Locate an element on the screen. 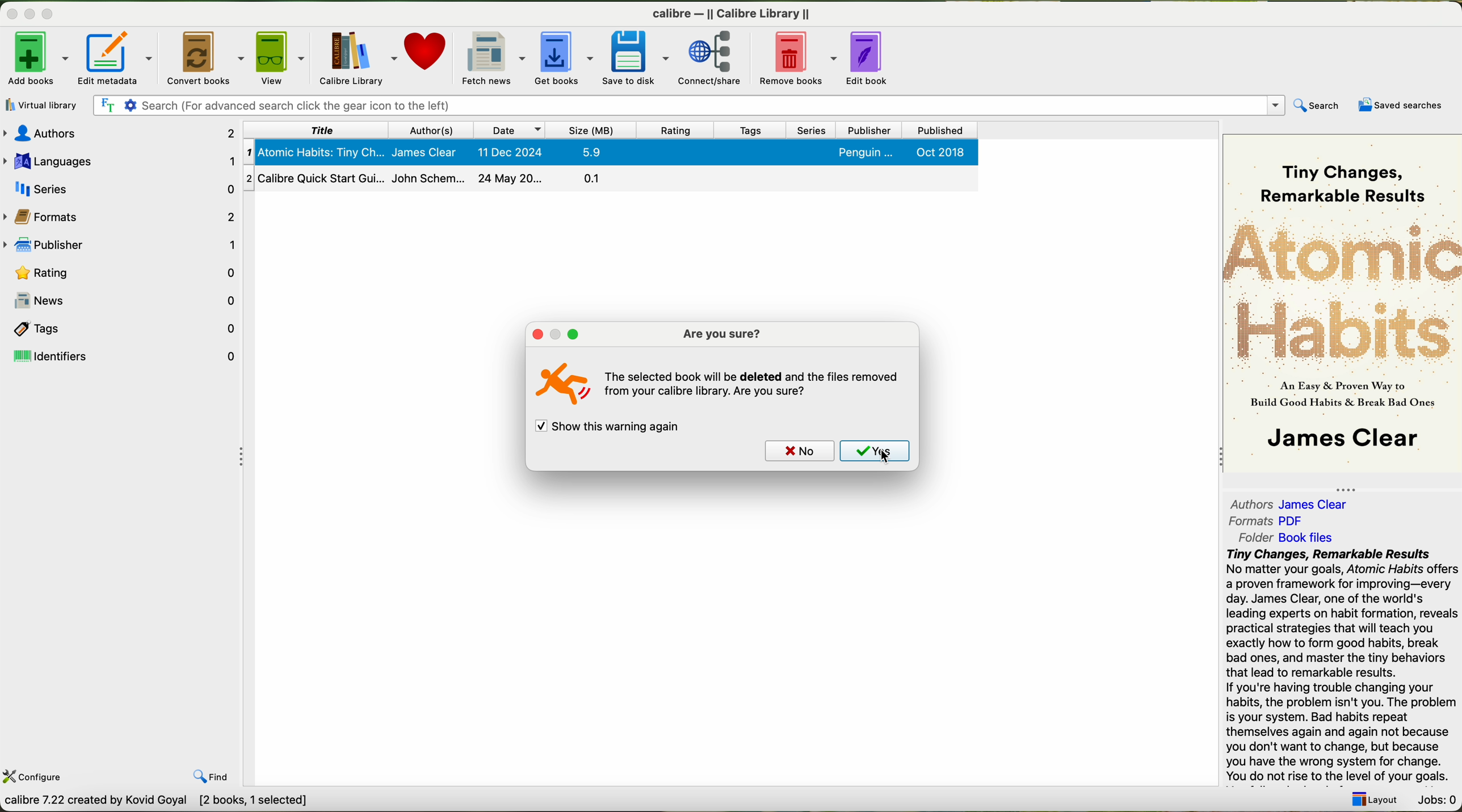 The width and height of the screenshot is (1462, 812). tags is located at coordinates (120, 330).